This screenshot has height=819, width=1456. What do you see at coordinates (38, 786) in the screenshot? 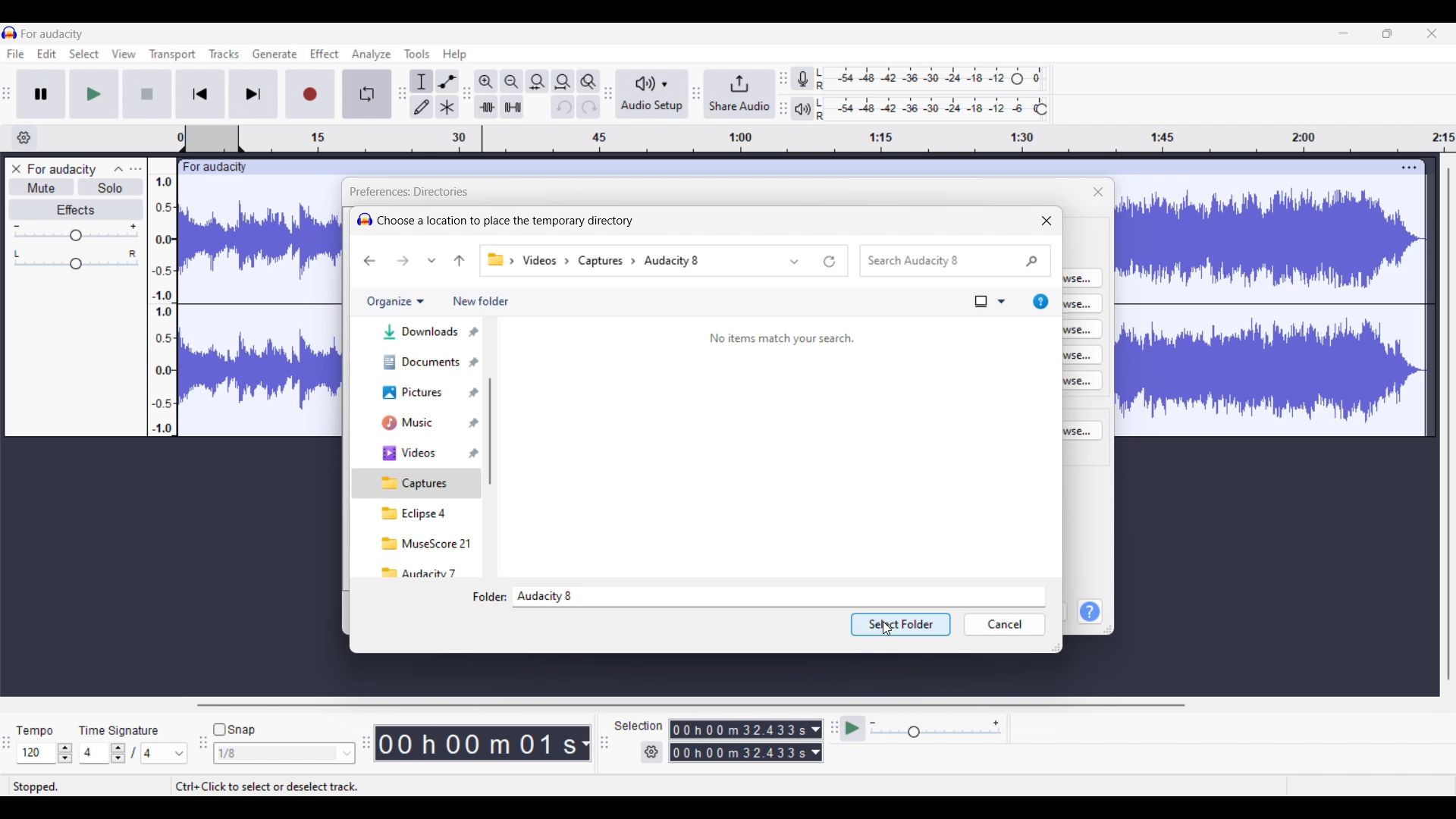
I see `Status of current track` at bounding box center [38, 786].